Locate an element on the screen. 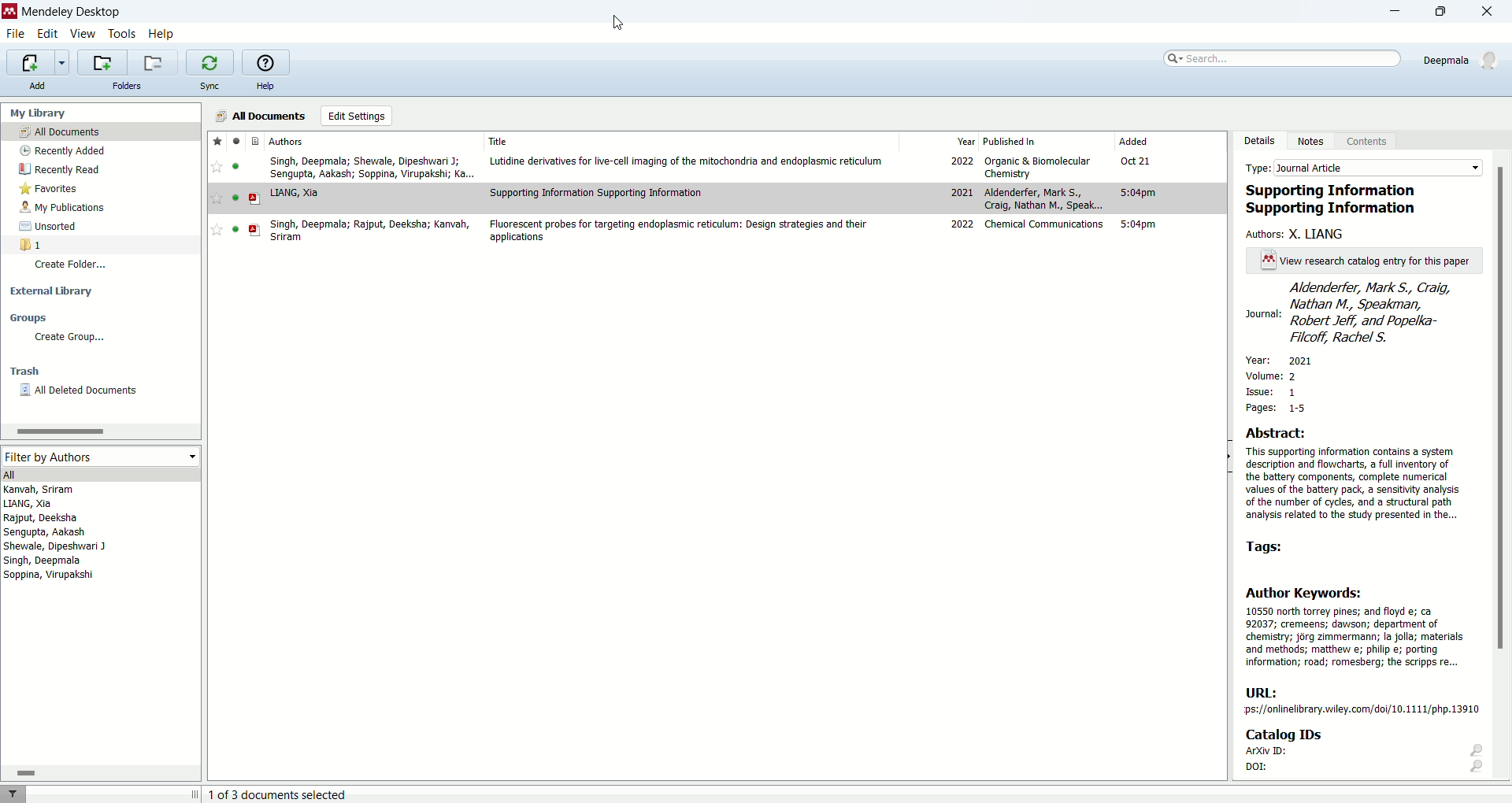 The image size is (1512, 803). cursor is located at coordinates (618, 22).